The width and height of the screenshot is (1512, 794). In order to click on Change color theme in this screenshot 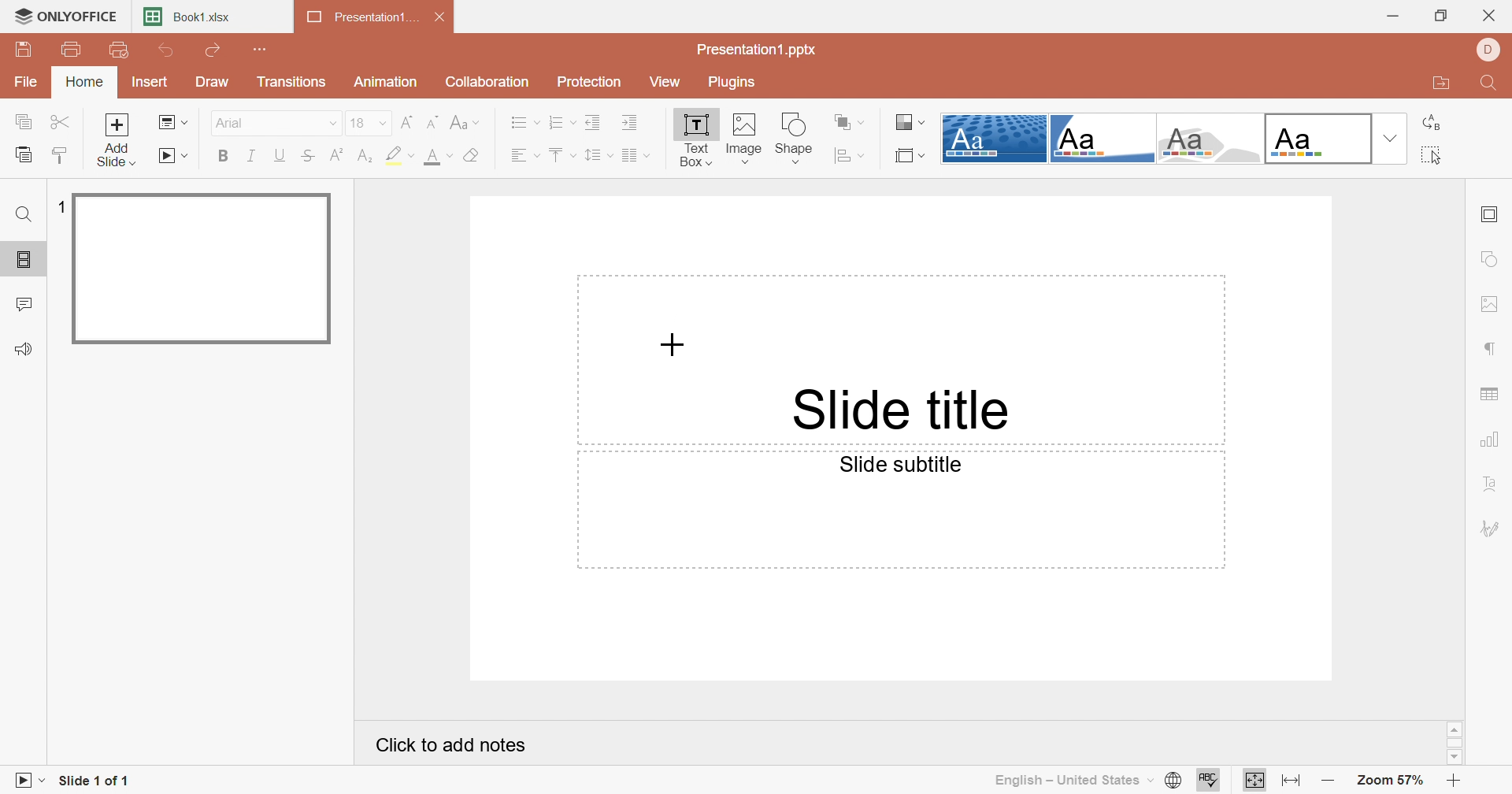, I will do `click(912, 123)`.